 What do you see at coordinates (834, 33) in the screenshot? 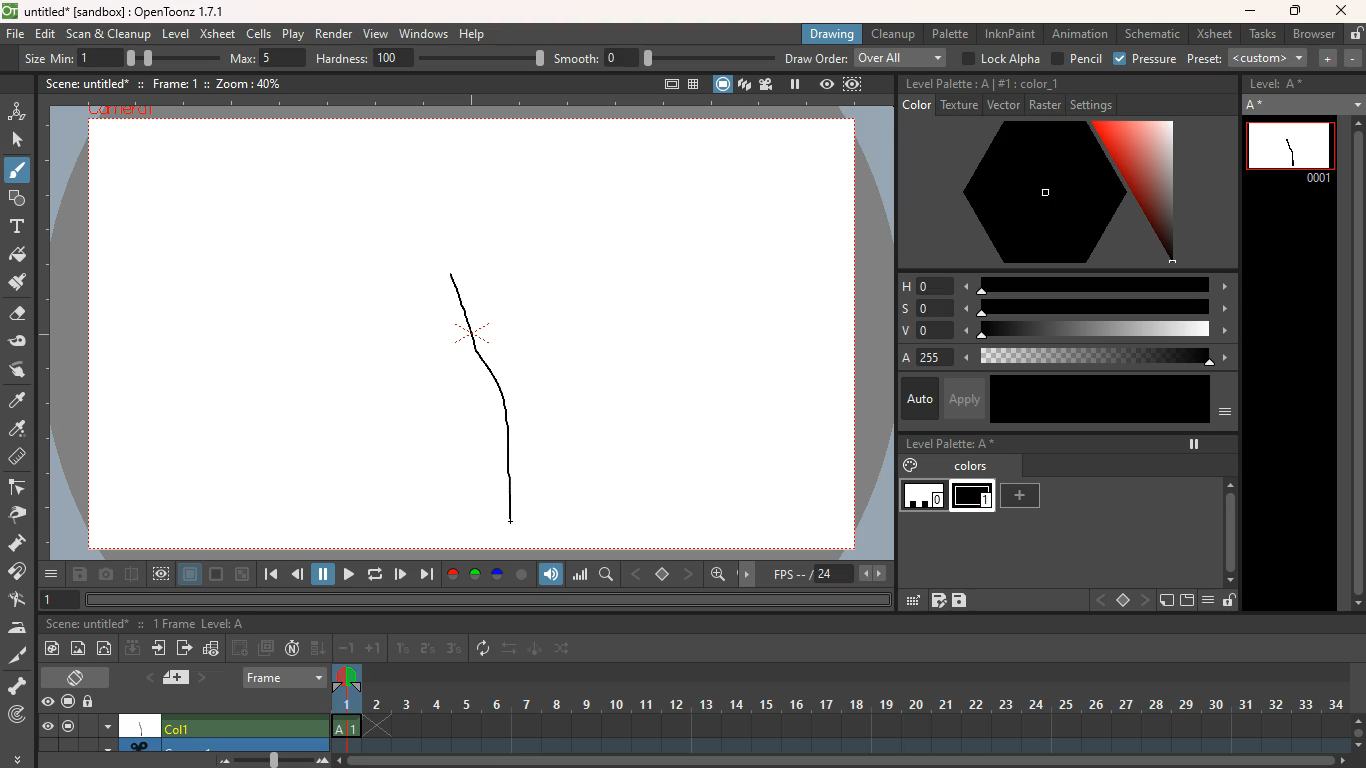
I see `drawing` at bounding box center [834, 33].